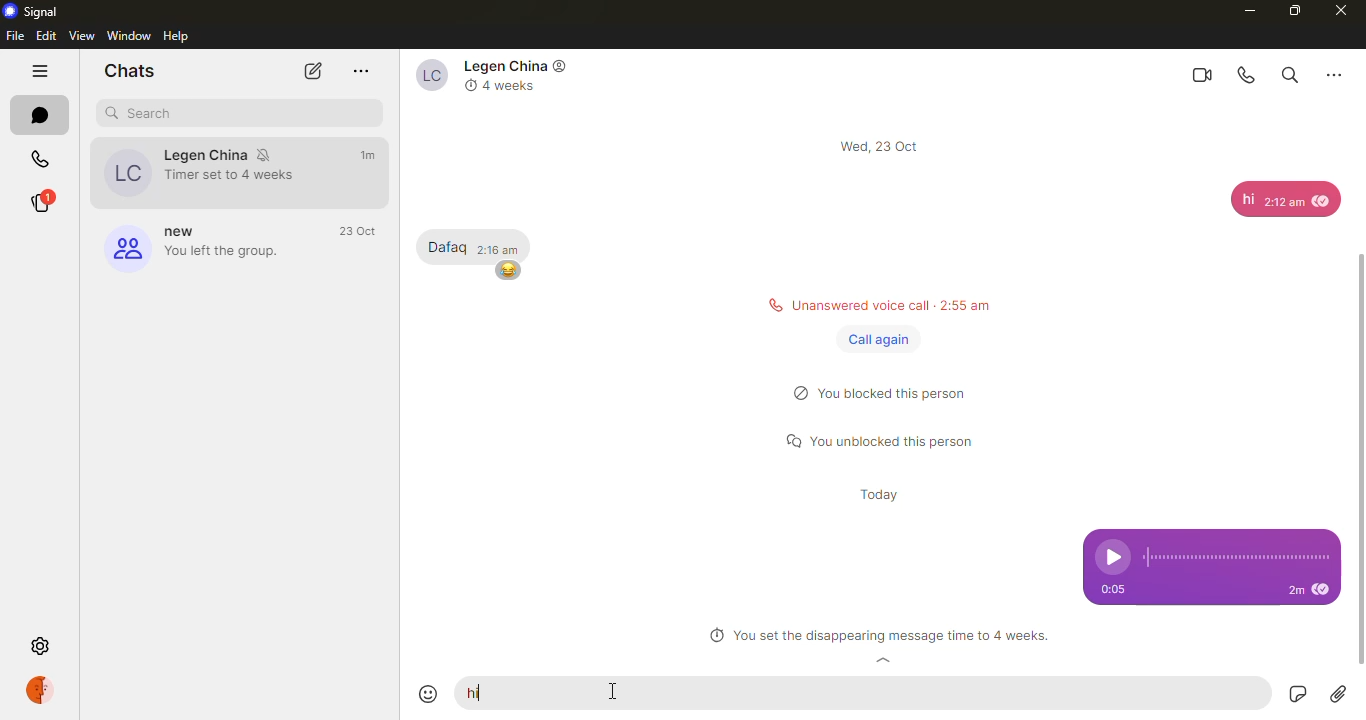 Image resolution: width=1366 pixels, height=720 pixels. Describe the element at coordinates (498, 248) in the screenshot. I see `2:16 am` at that location.